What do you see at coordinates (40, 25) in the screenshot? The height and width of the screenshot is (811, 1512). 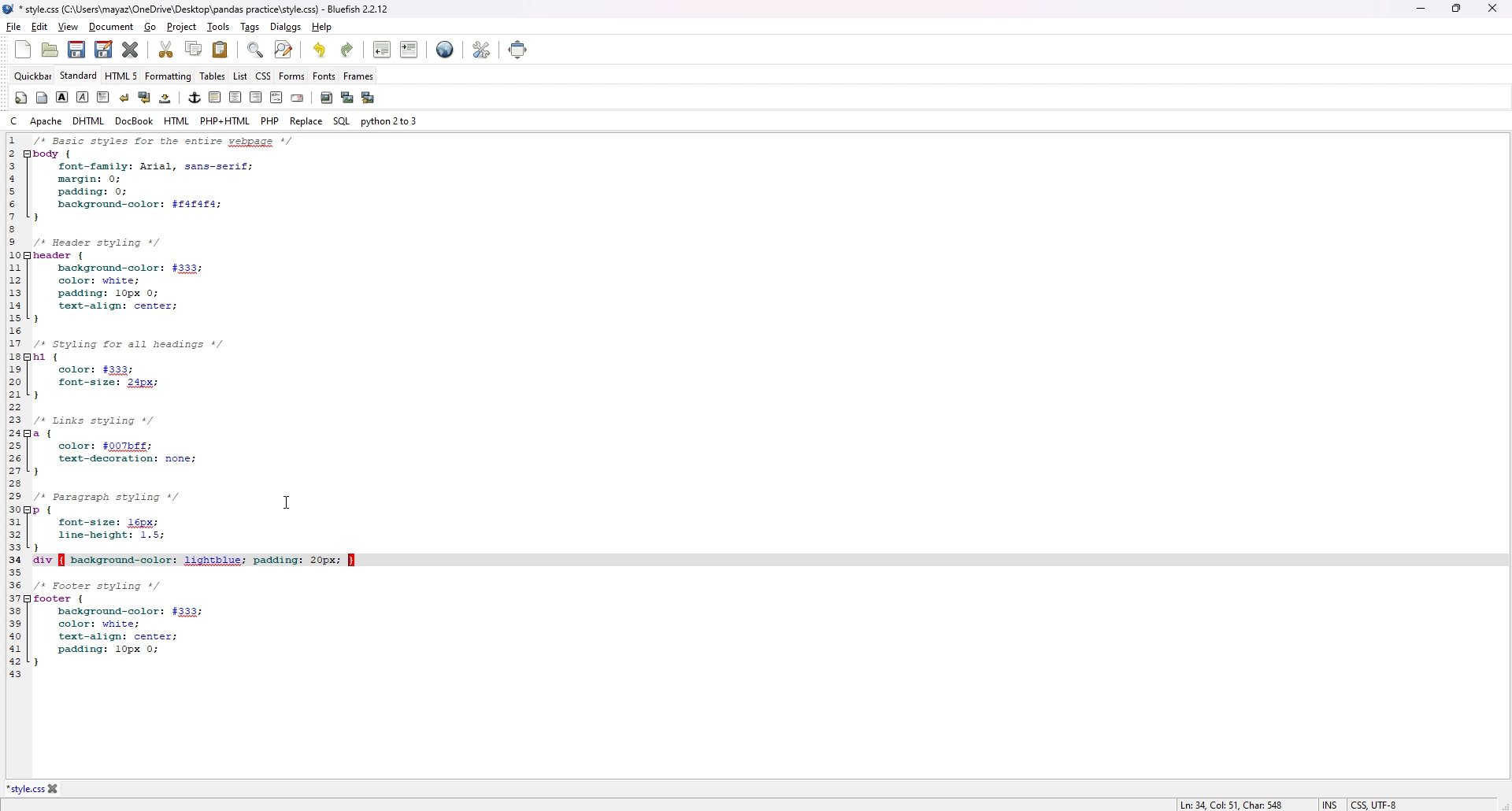 I see `edit` at bounding box center [40, 25].